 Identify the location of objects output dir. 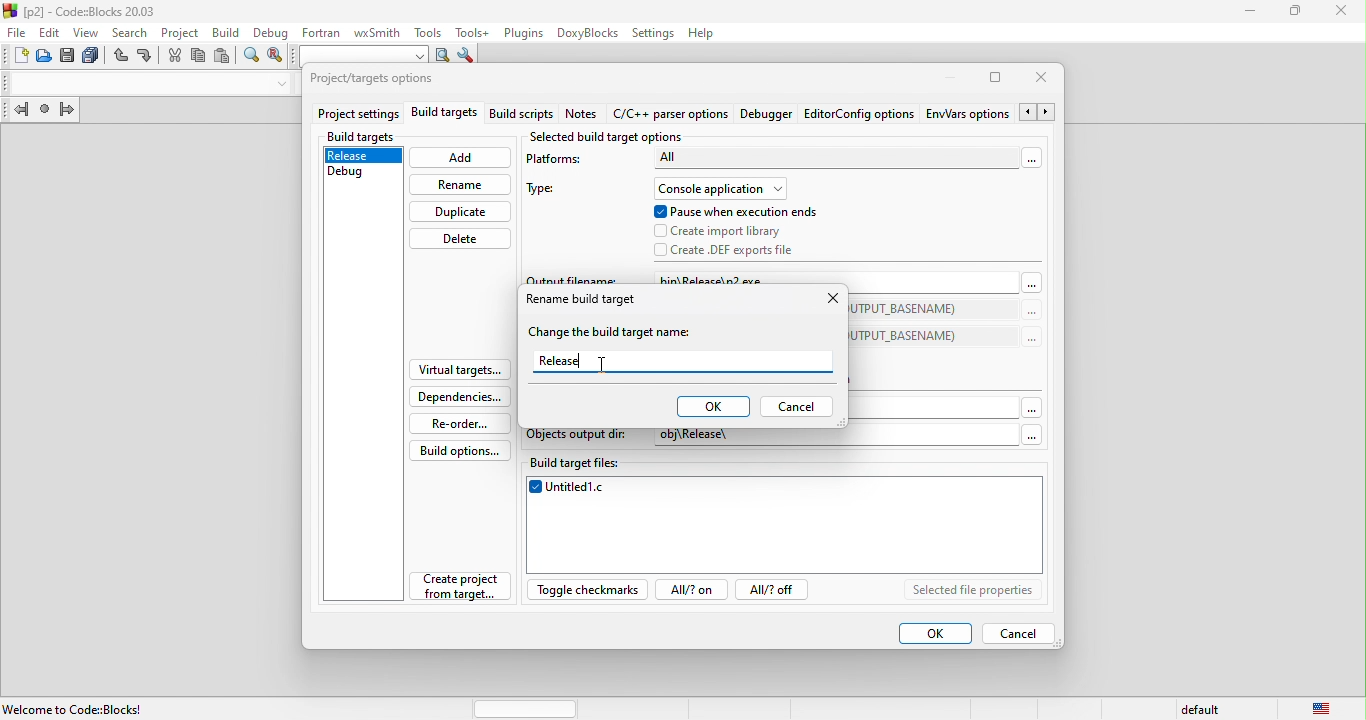
(578, 438).